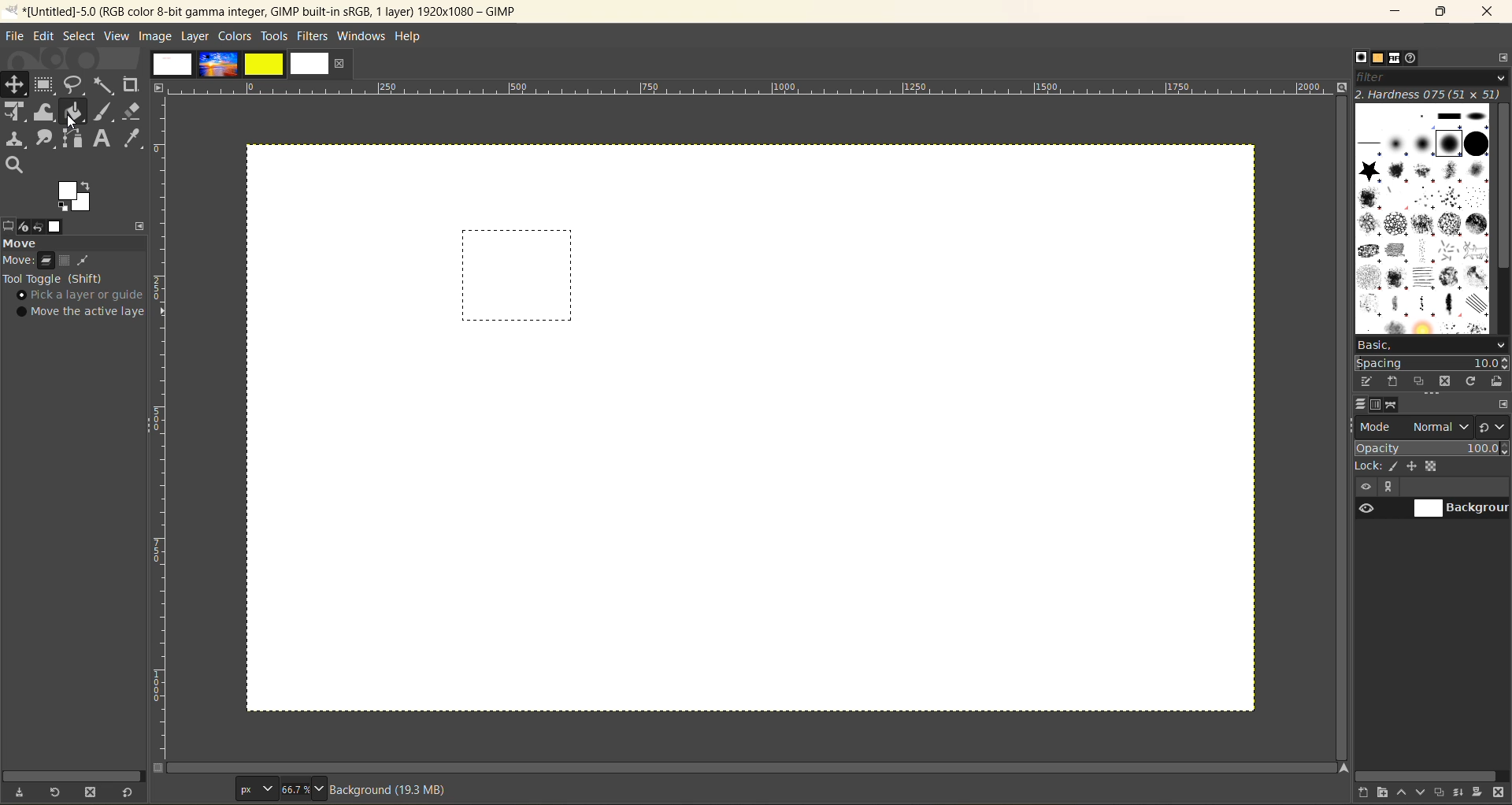 The height and width of the screenshot is (805, 1512). What do you see at coordinates (1363, 406) in the screenshot?
I see `layers` at bounding box center [1363, 406].